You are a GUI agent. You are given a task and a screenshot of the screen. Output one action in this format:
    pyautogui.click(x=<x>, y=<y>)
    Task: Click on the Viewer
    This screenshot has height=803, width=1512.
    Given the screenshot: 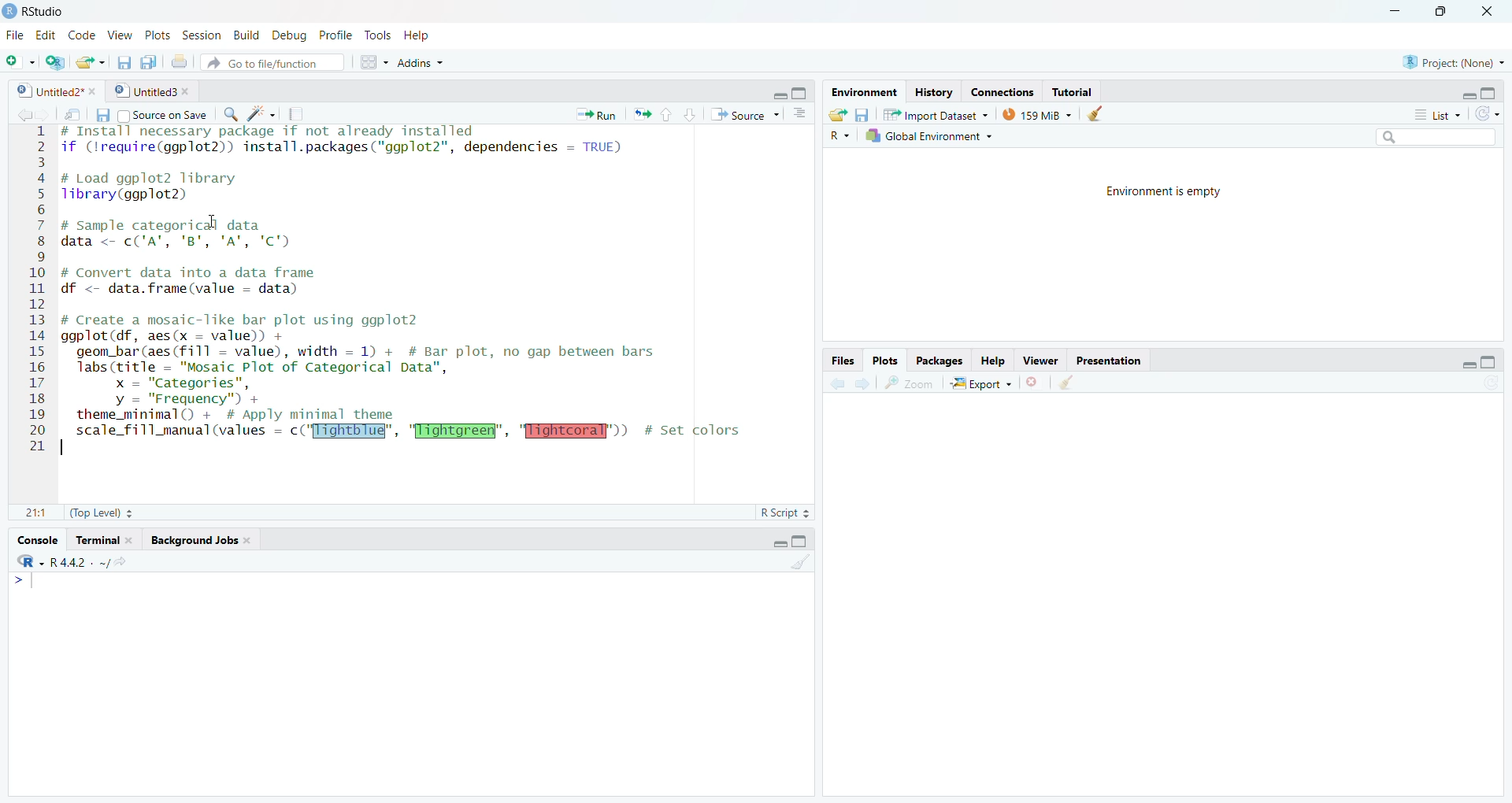 What is the action you would take?
    pyautogui.click(x=1042, y=361)
    